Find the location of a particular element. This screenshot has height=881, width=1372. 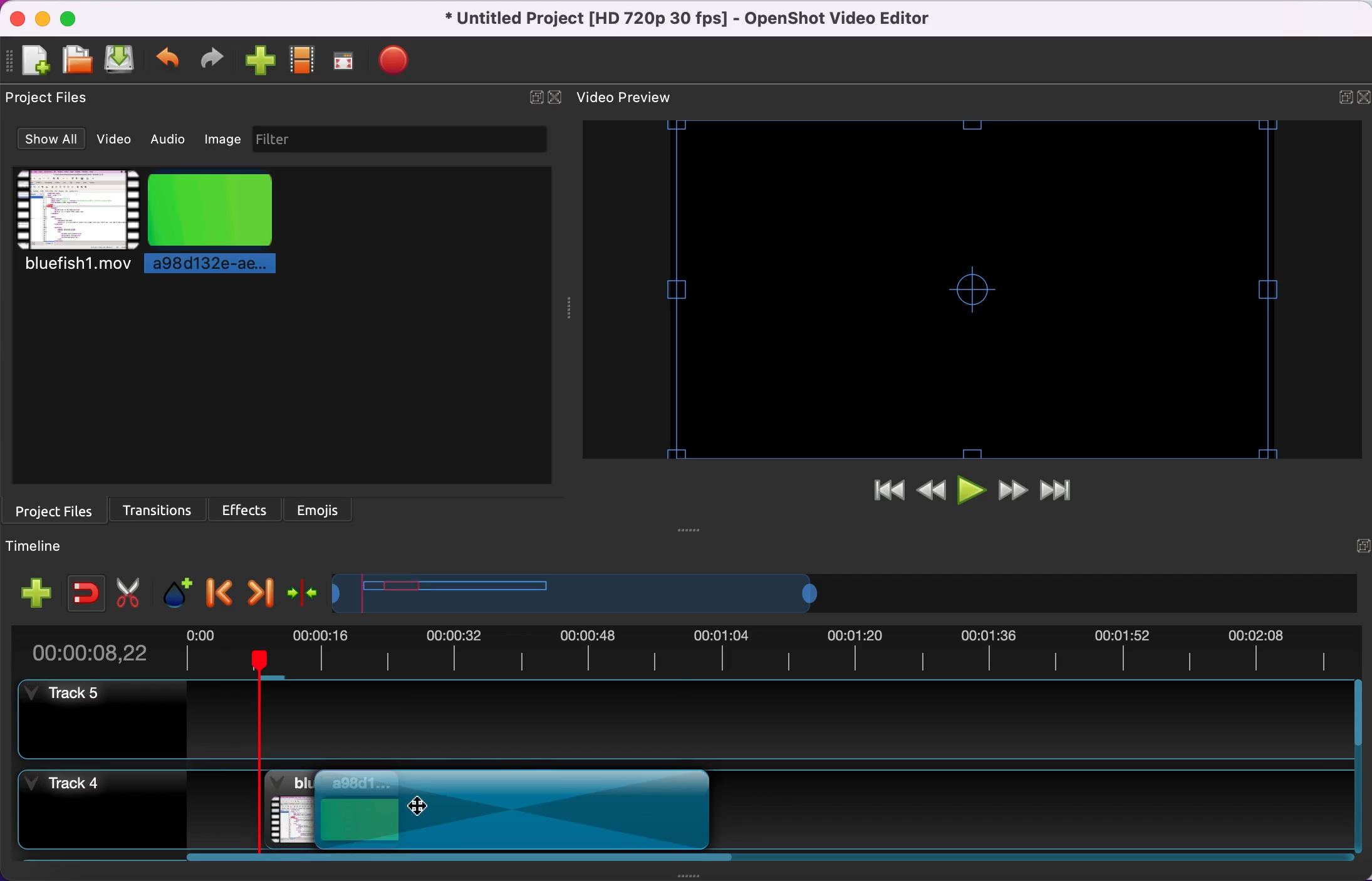

save file is located at coordinates (118, 60).